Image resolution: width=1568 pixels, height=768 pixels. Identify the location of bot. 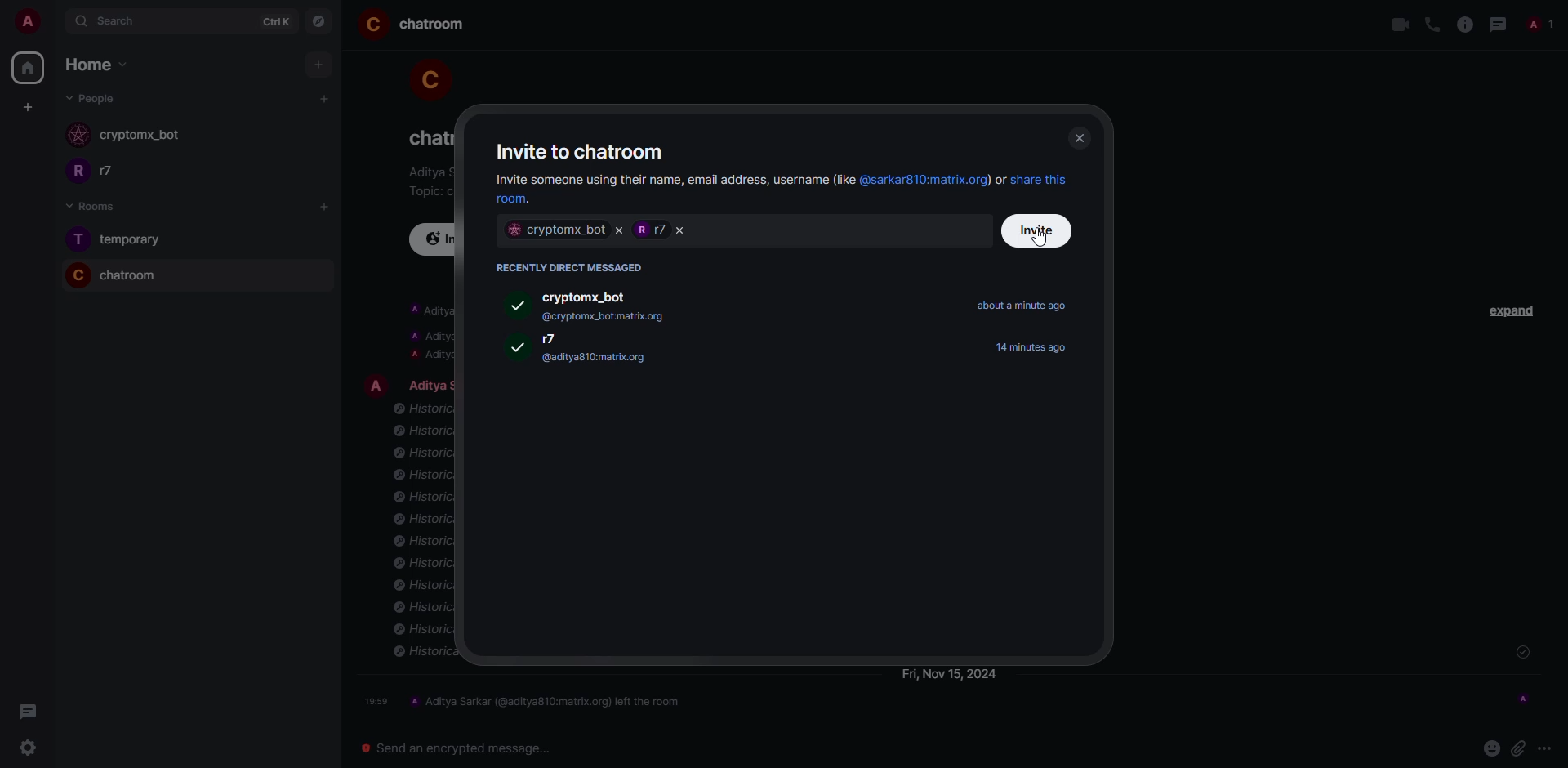
(591, 296).